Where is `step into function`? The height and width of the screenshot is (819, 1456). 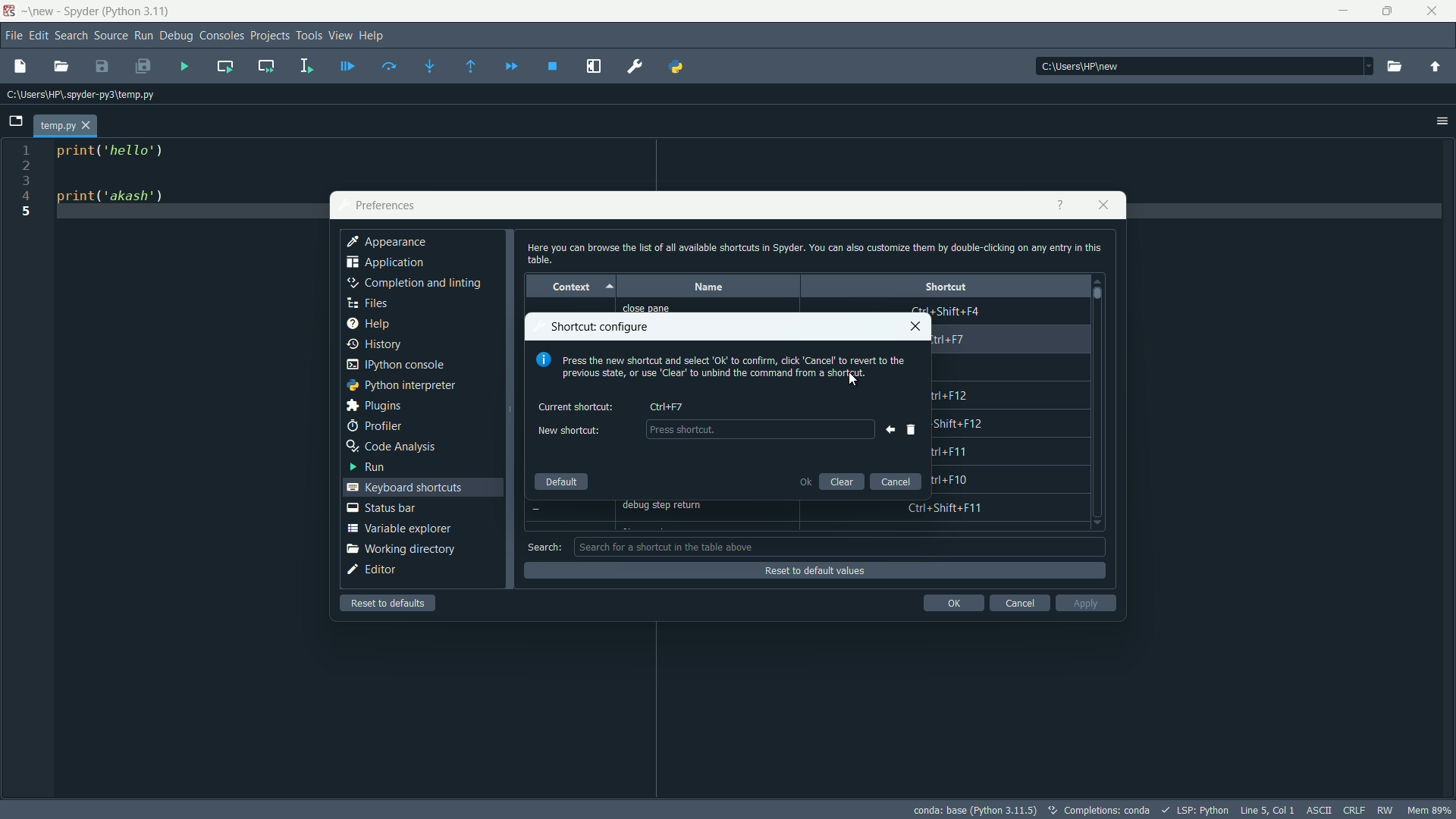
step into function is located at coordinates (430, 67).